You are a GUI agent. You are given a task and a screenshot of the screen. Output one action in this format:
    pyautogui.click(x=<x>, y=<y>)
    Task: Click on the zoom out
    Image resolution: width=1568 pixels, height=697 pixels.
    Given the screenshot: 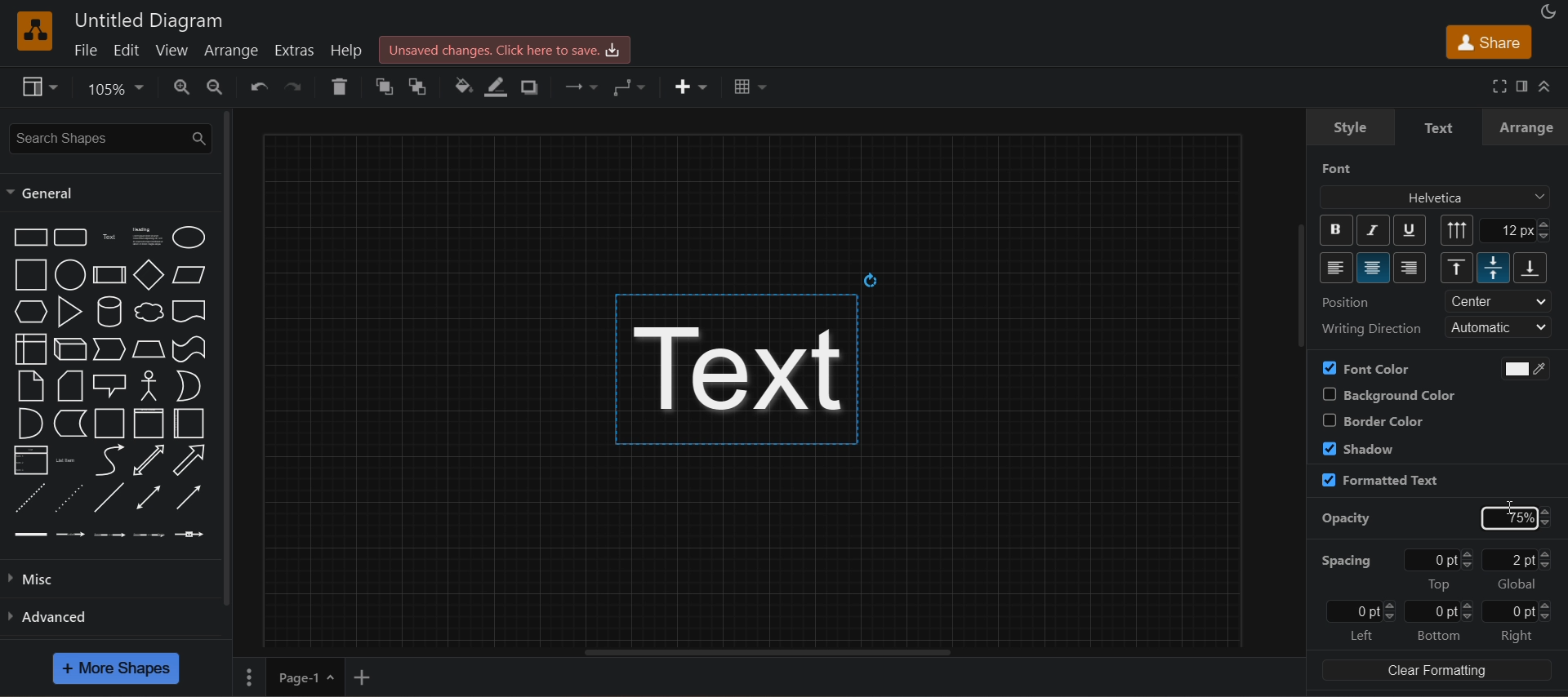 What is the action you would take?
    pyautogui.click(x=213, y=87)
    